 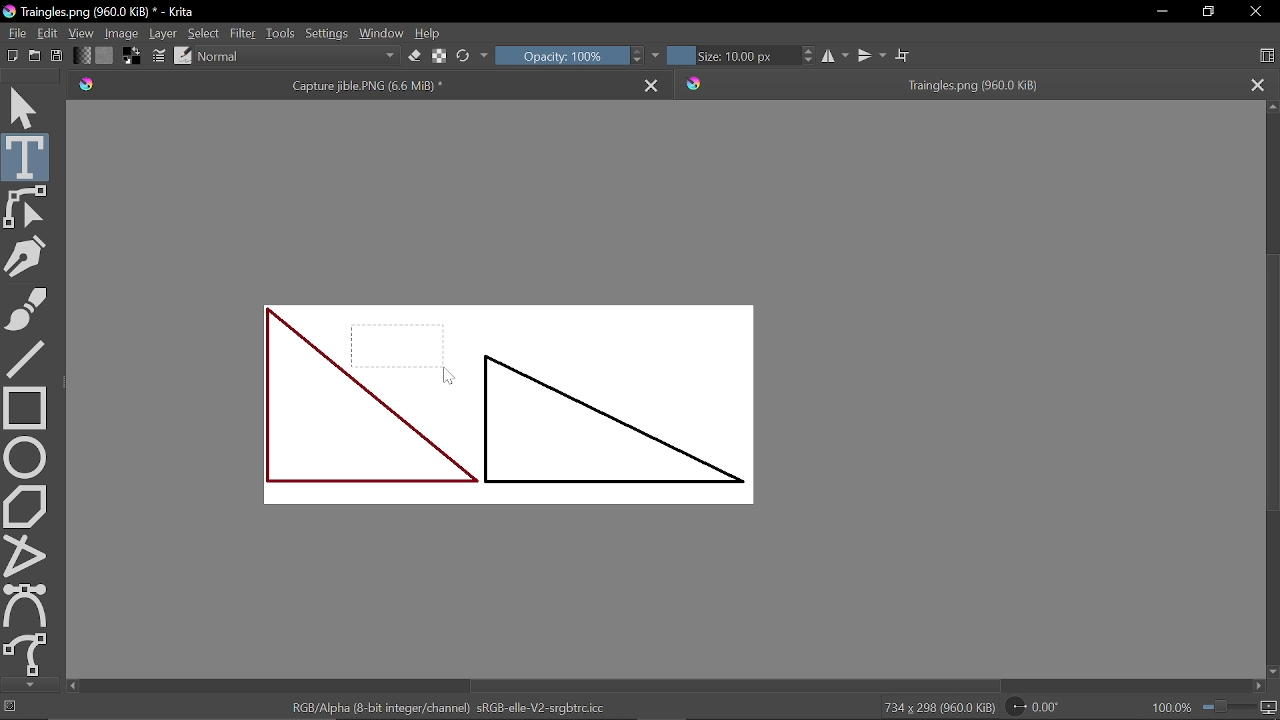 I want to click on Choose brush preset, so click(x=464, y=56).